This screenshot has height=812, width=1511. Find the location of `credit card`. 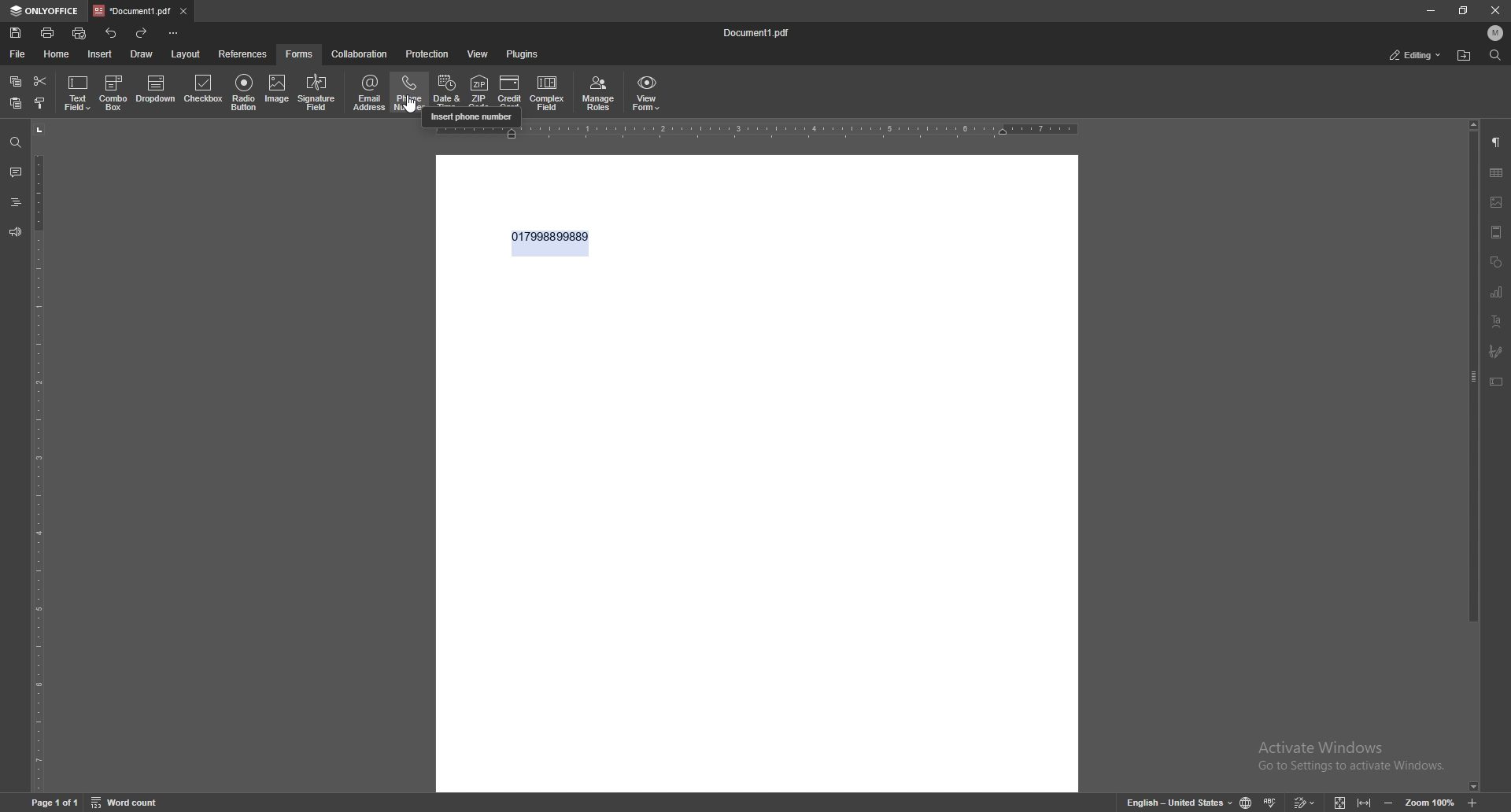

credit card is located at coordinates (510, 91).